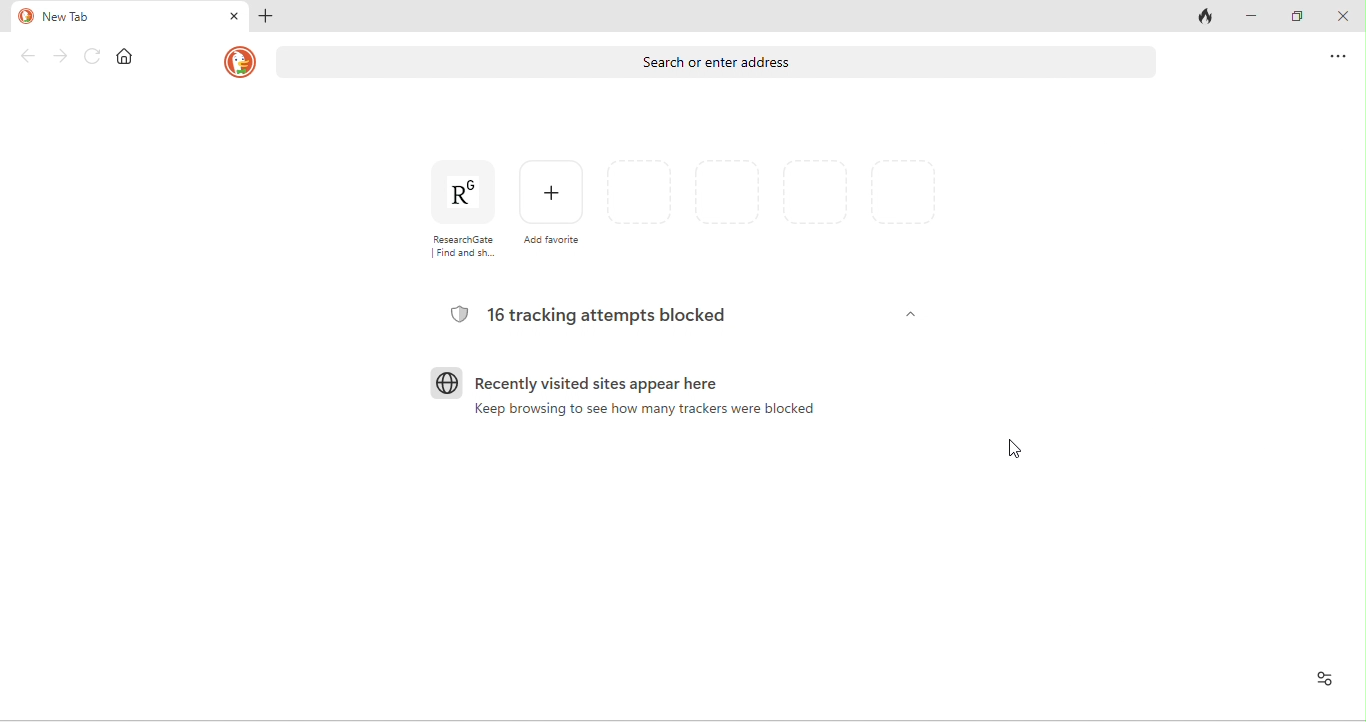 This screenshot has height=722, width=1366. Describe the element at coordinates (1206, 17) in the screenshot. I see `track tab` at that location.